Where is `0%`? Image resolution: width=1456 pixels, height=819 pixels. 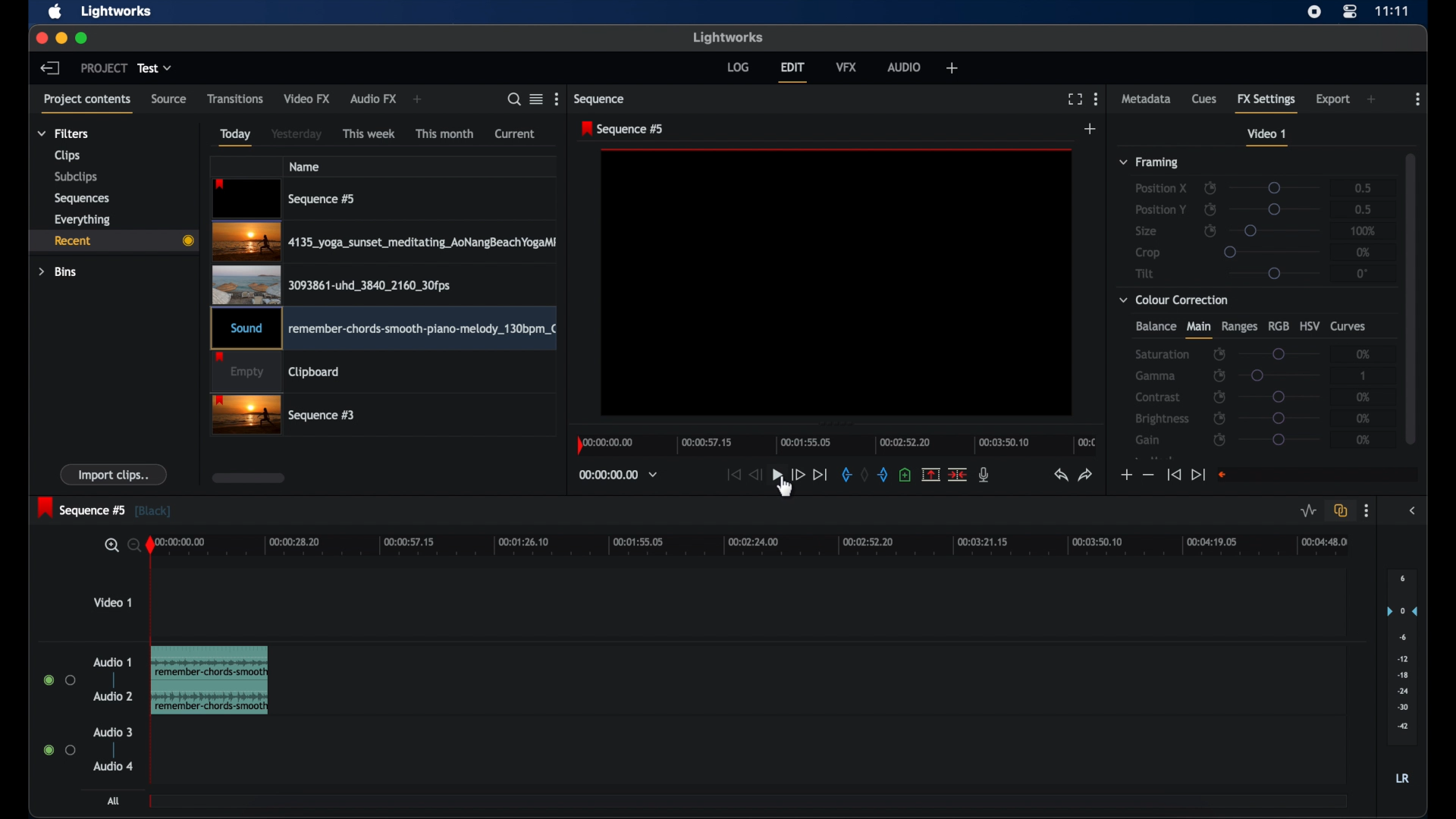 0% is located at coordinates (1364, 440).